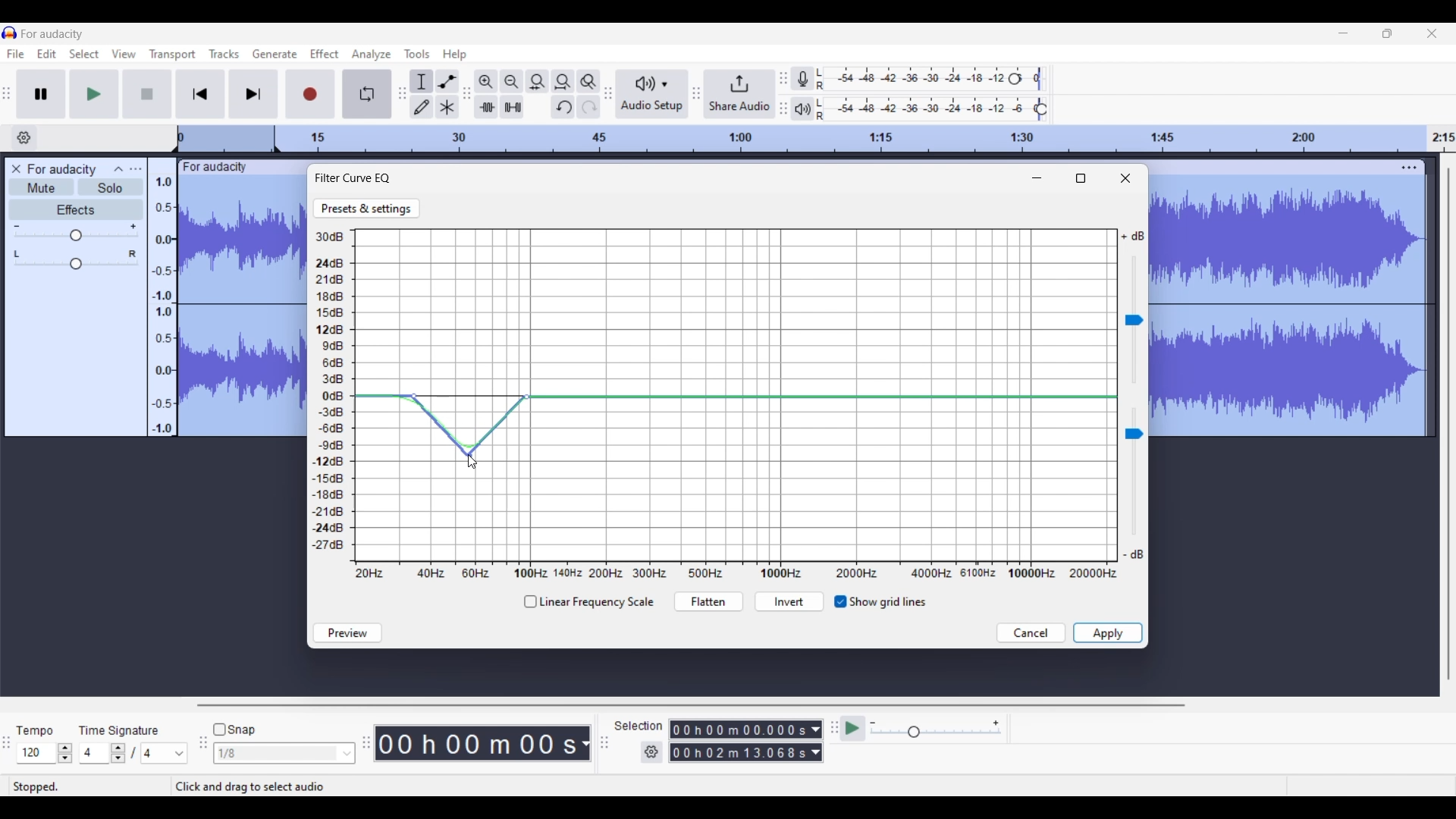 The width and height of the screenshot is (1456, 819). Describe the element at coordinates (1133, 554) in the screenshot. I see `Indicates min. sound` at that location.